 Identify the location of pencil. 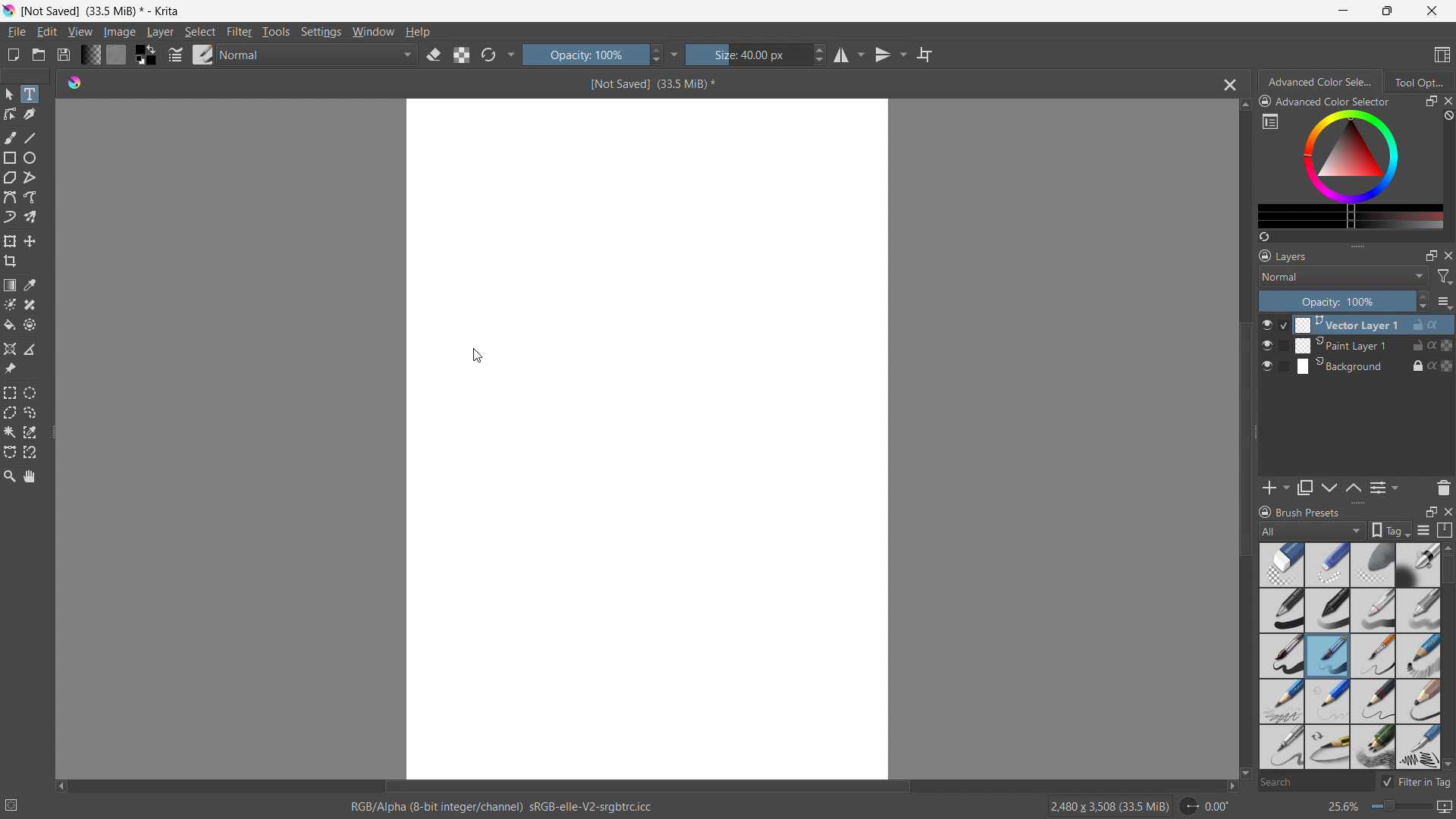
(1417, 747).